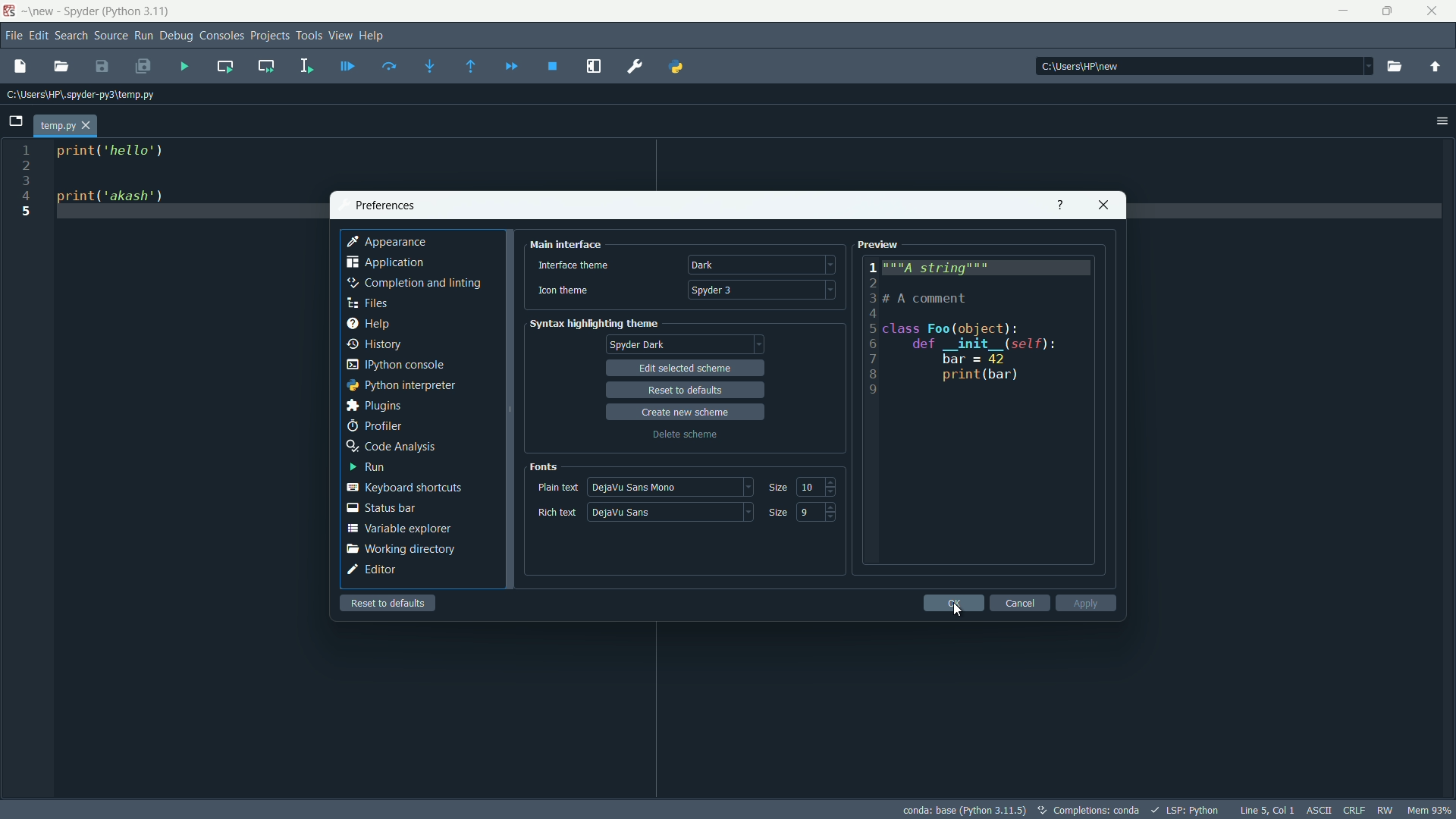  What do you see at coordinates (401, 548) in the screenshot?
I see `working directory` at bounding box center [401, 548].